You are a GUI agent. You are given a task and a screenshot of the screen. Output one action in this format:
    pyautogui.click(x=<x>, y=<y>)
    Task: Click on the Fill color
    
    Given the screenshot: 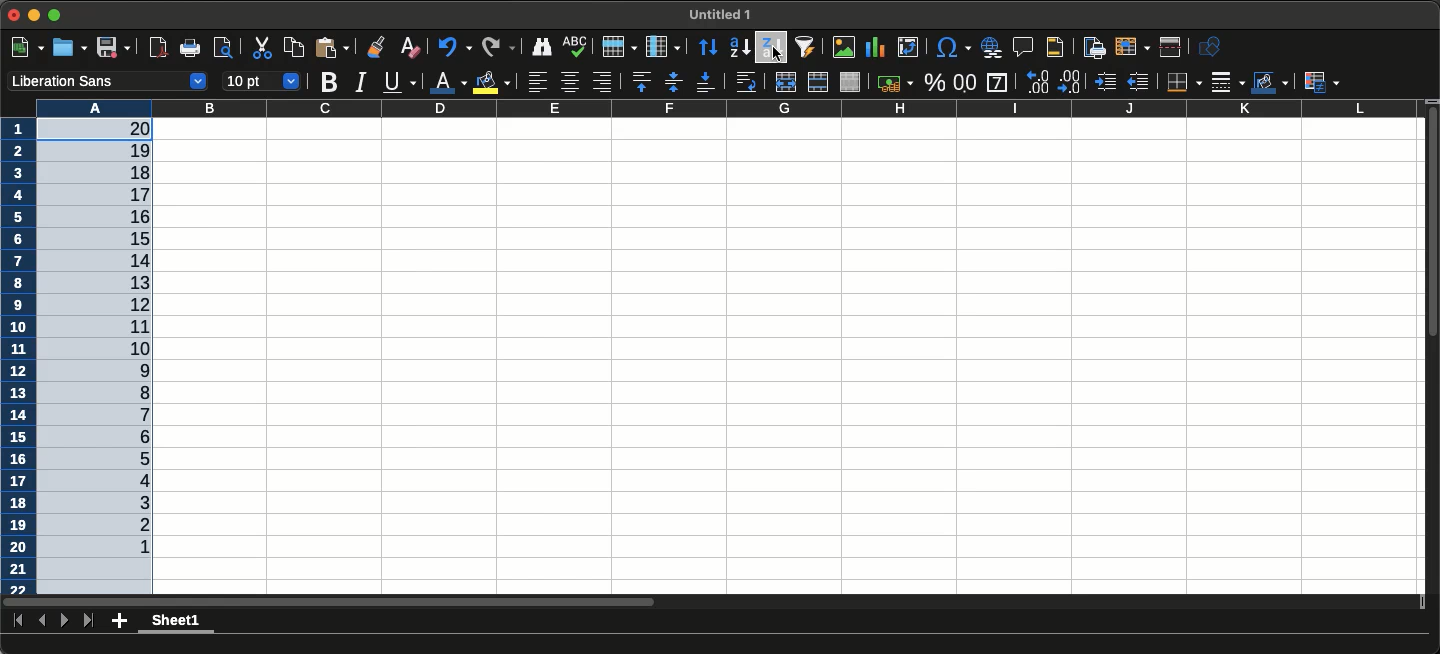 What is the action you would take?
    pyautogui.click(x=491, y=83)
    